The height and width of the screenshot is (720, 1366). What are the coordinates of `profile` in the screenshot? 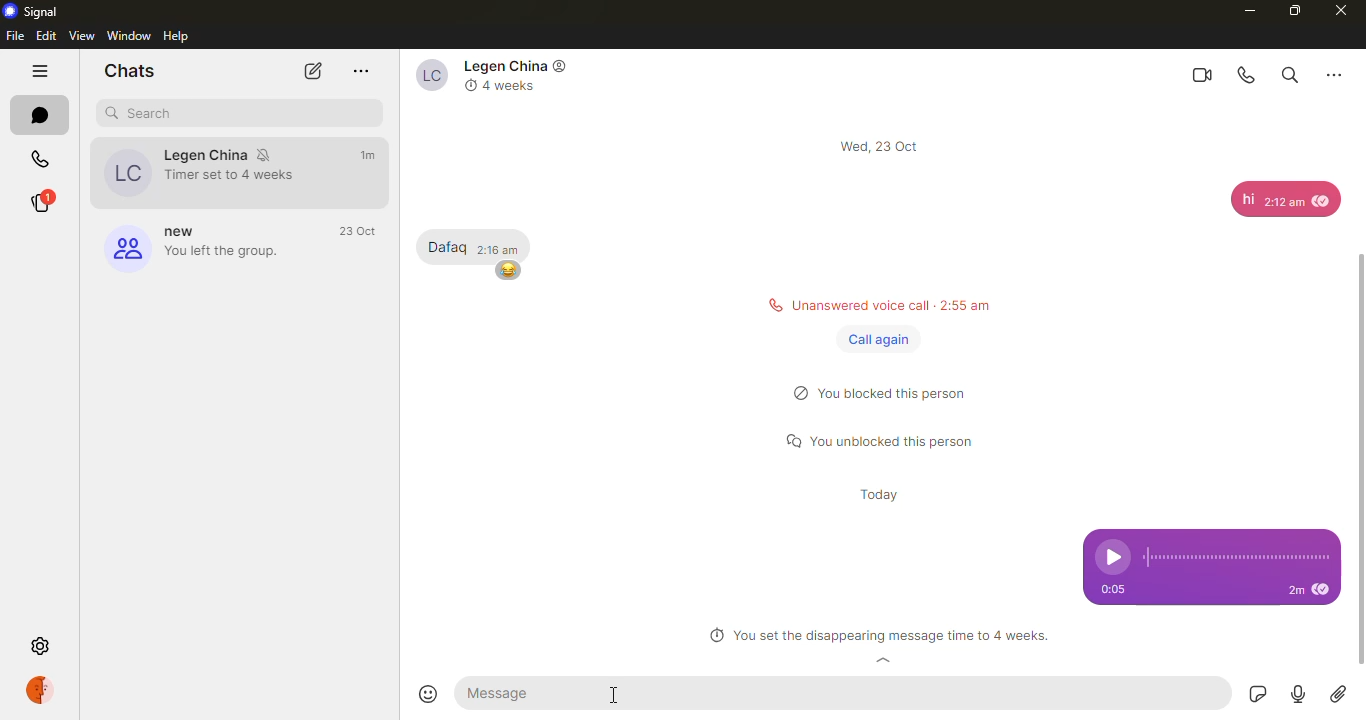 It's located at (44, 690).